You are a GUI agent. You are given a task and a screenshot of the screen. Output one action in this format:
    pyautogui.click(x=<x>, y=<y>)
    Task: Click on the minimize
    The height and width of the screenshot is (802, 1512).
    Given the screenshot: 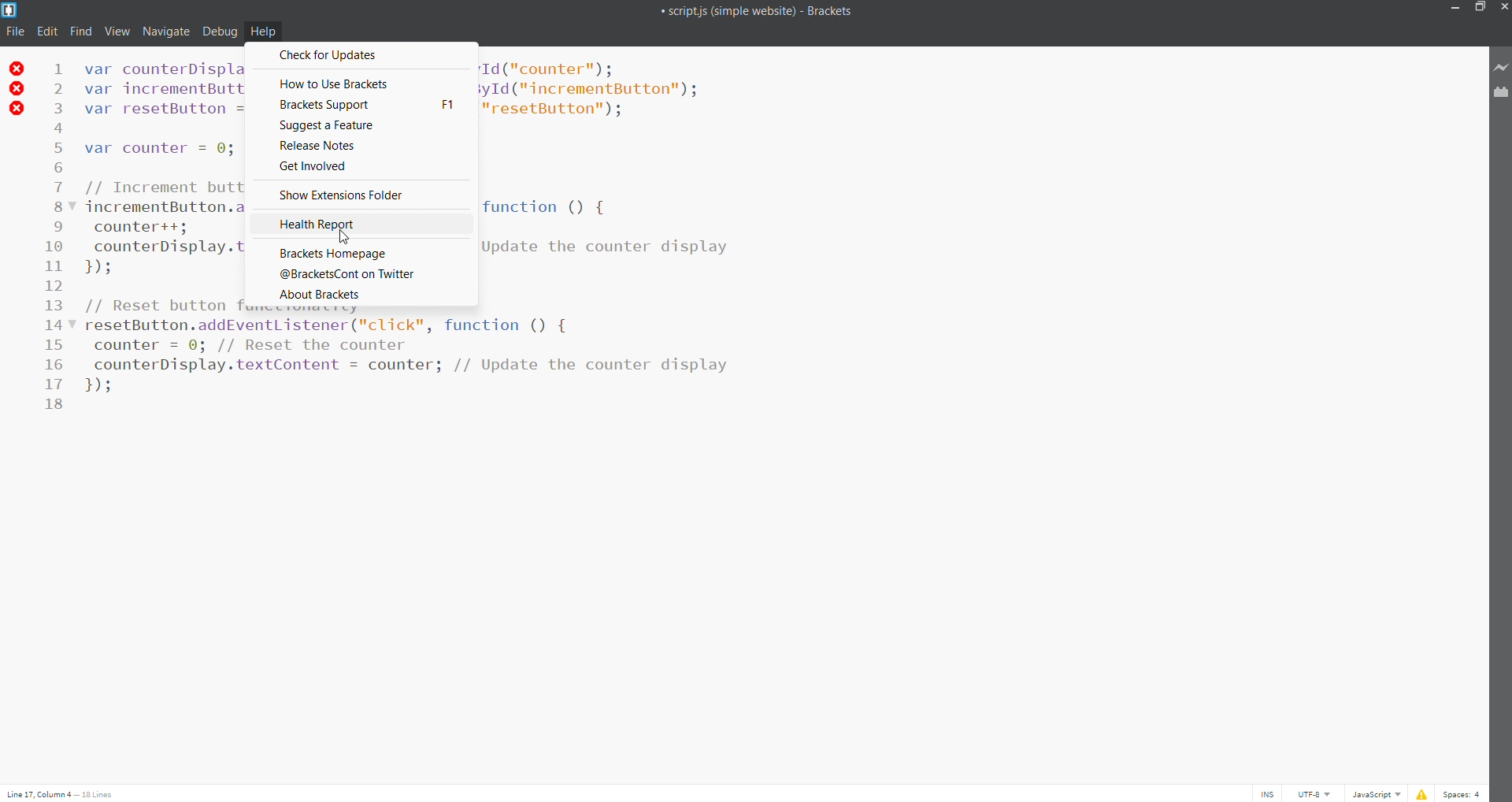 What is the action you would take?
    pyautogui.click(x=1455, y=9)
    